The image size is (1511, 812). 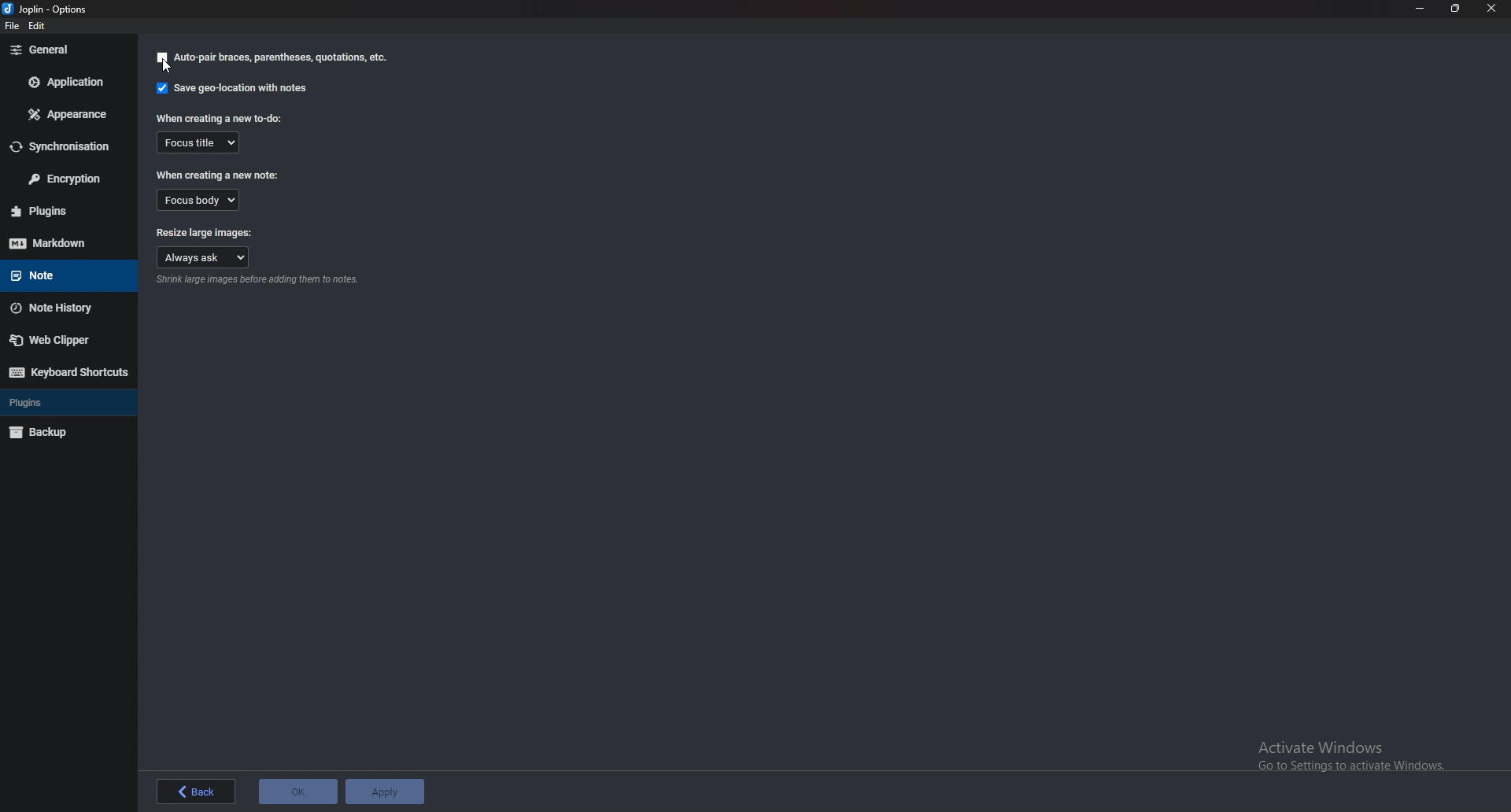 I want to click on ok, so click(x=297, y=790).